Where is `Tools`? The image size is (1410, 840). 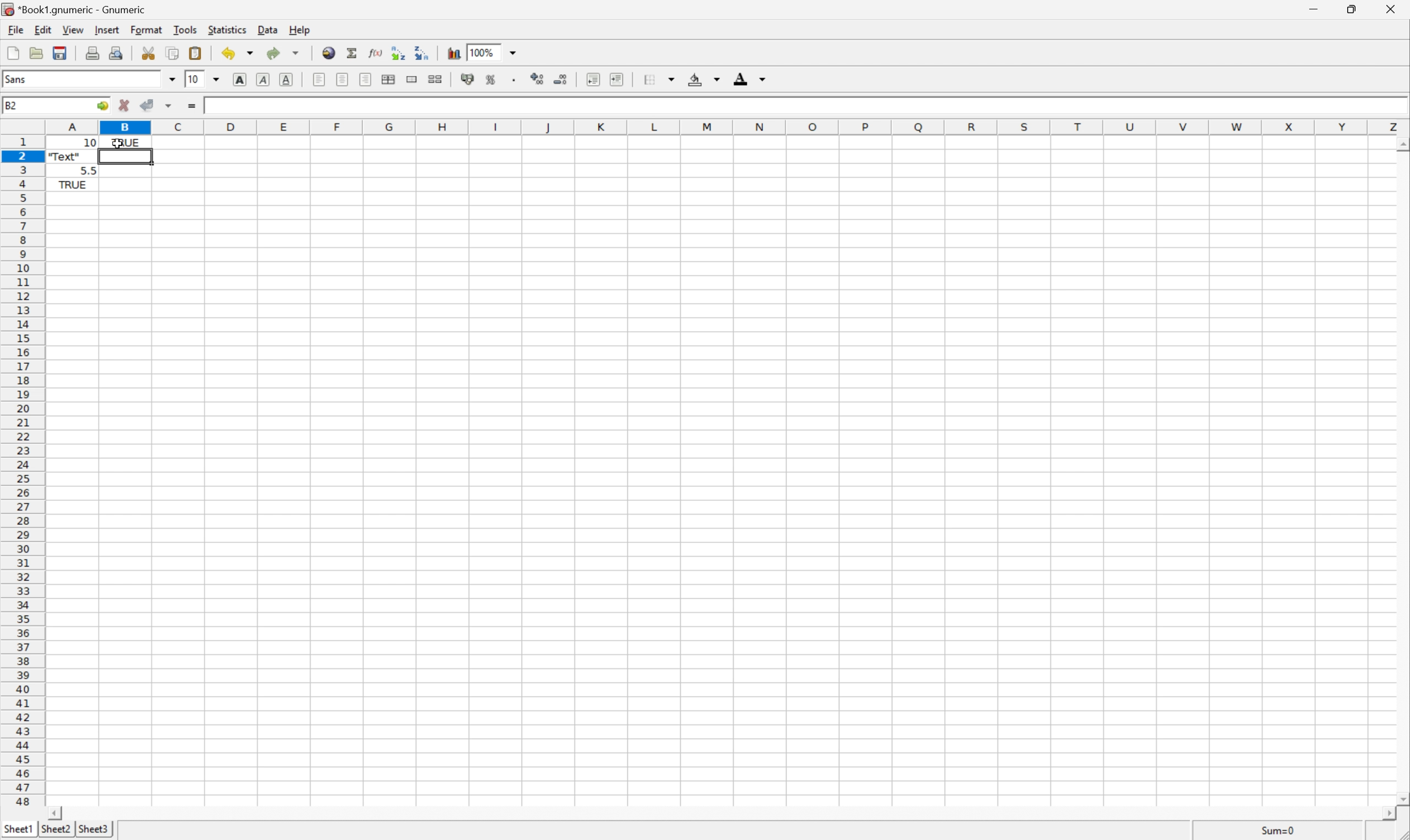 Tools is located at coordinates (186, 29).